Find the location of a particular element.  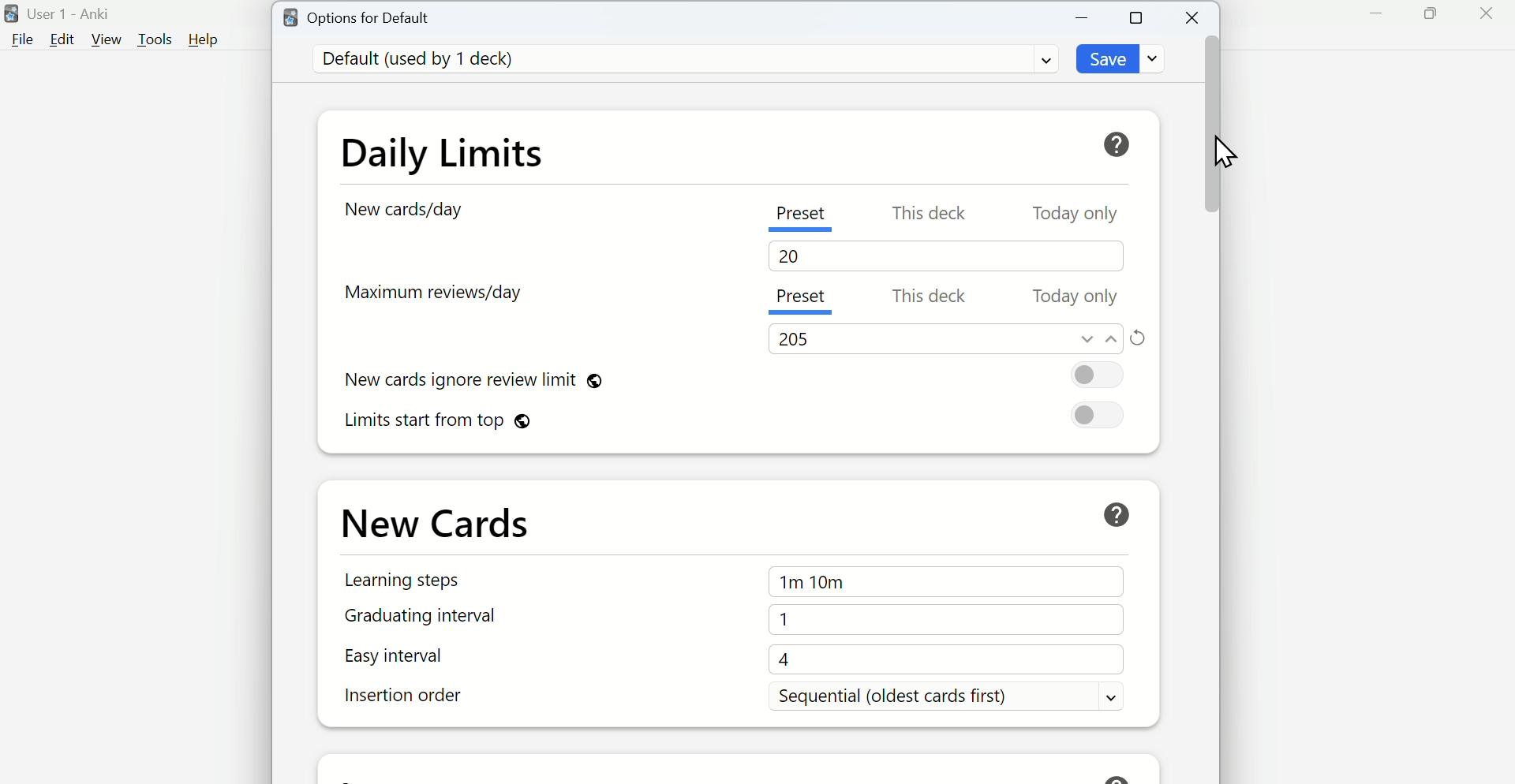

View is located at coordinates (107, 39).